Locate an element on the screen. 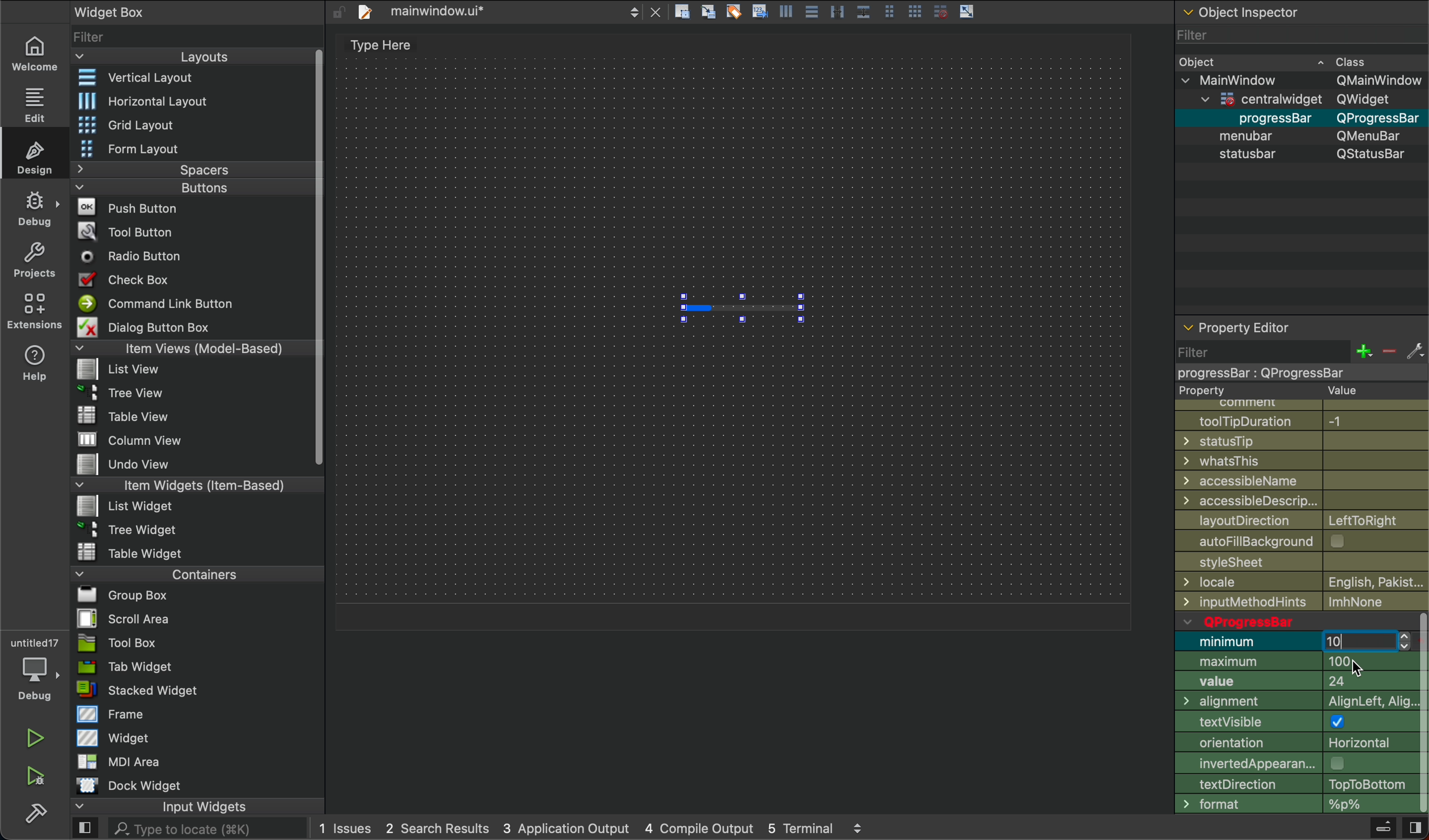  object inspector is located at coordinates (1300, 12).